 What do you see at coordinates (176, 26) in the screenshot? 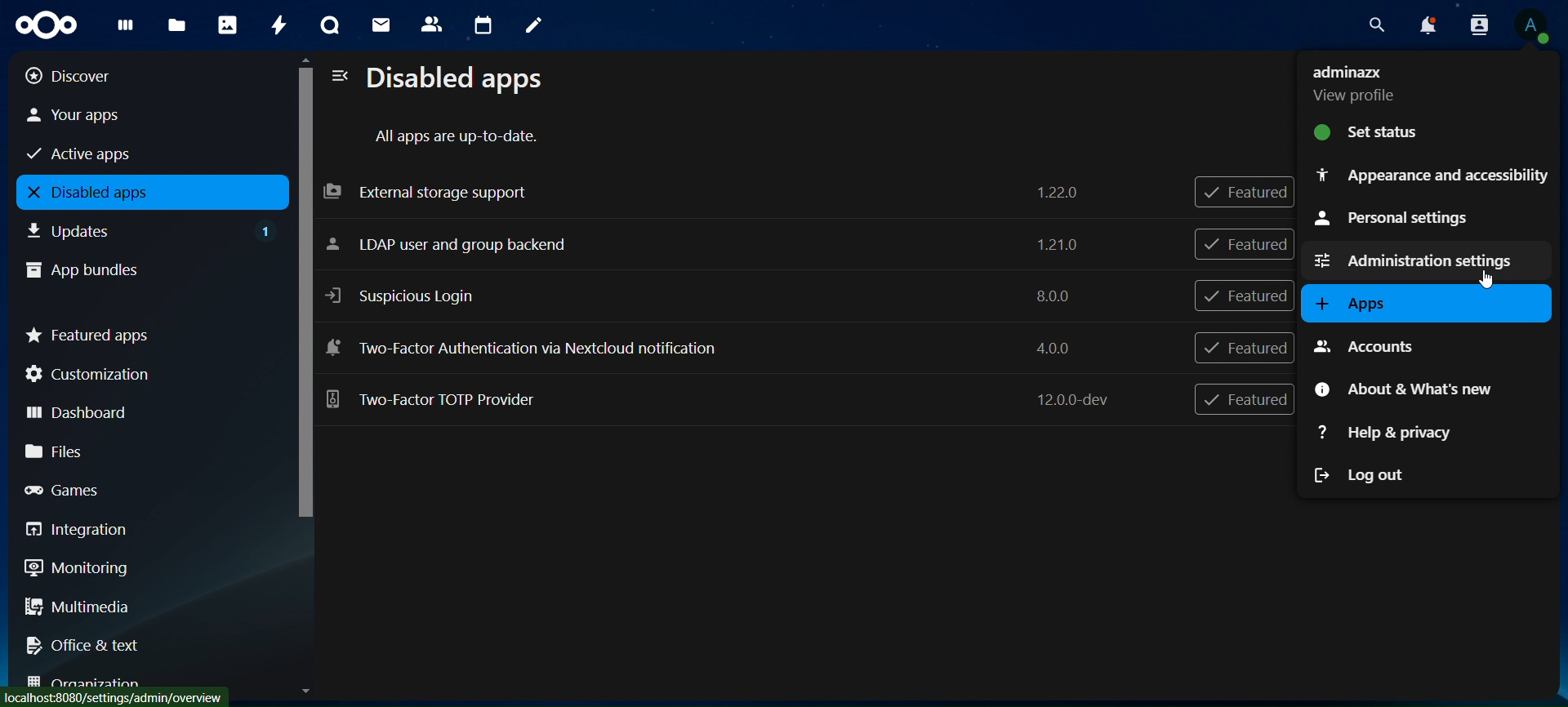
I see `files` at bounding box center [176, 26].